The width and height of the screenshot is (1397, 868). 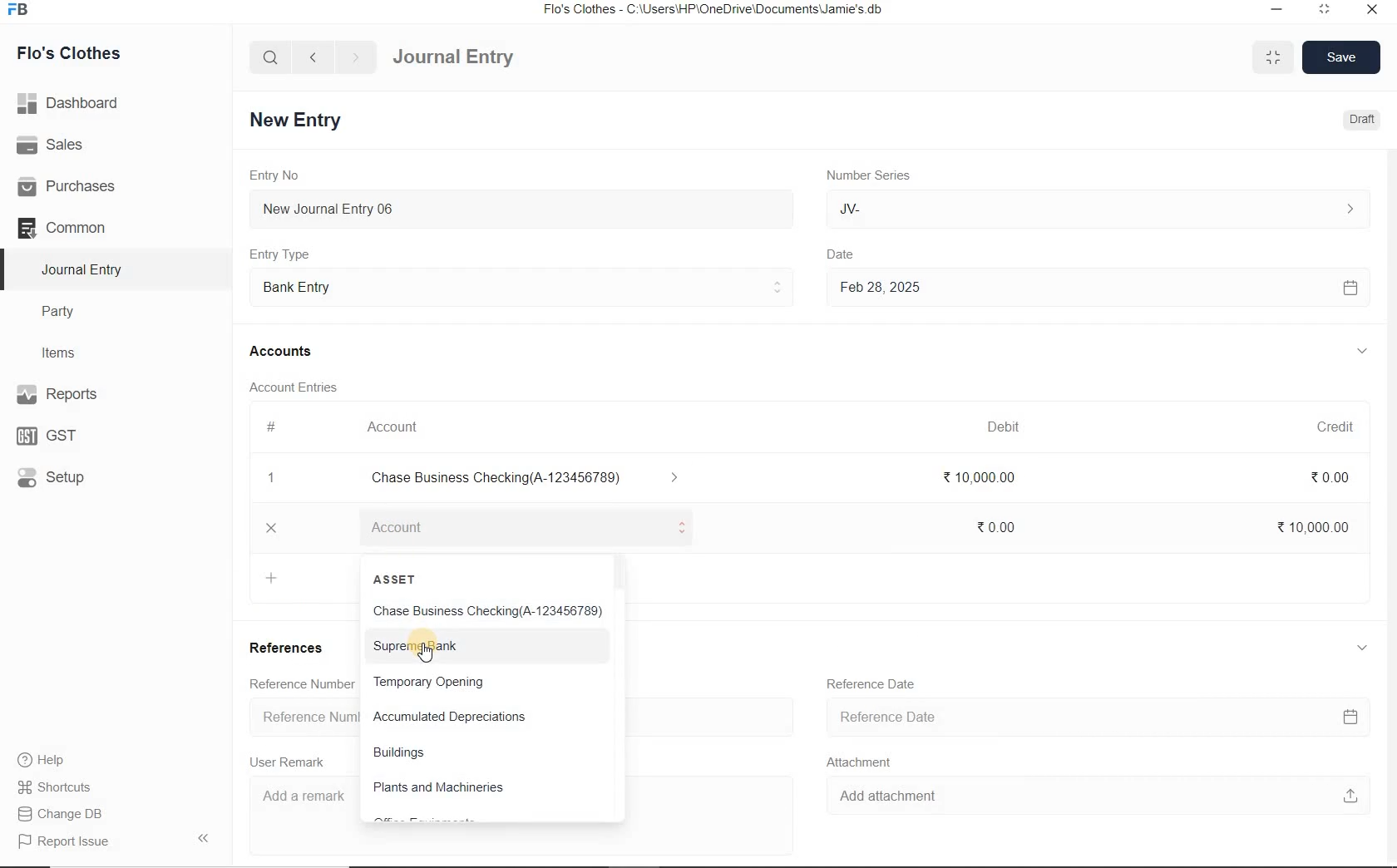 I want to click on Accumulated Depreciations, so click(x=450, y=718).